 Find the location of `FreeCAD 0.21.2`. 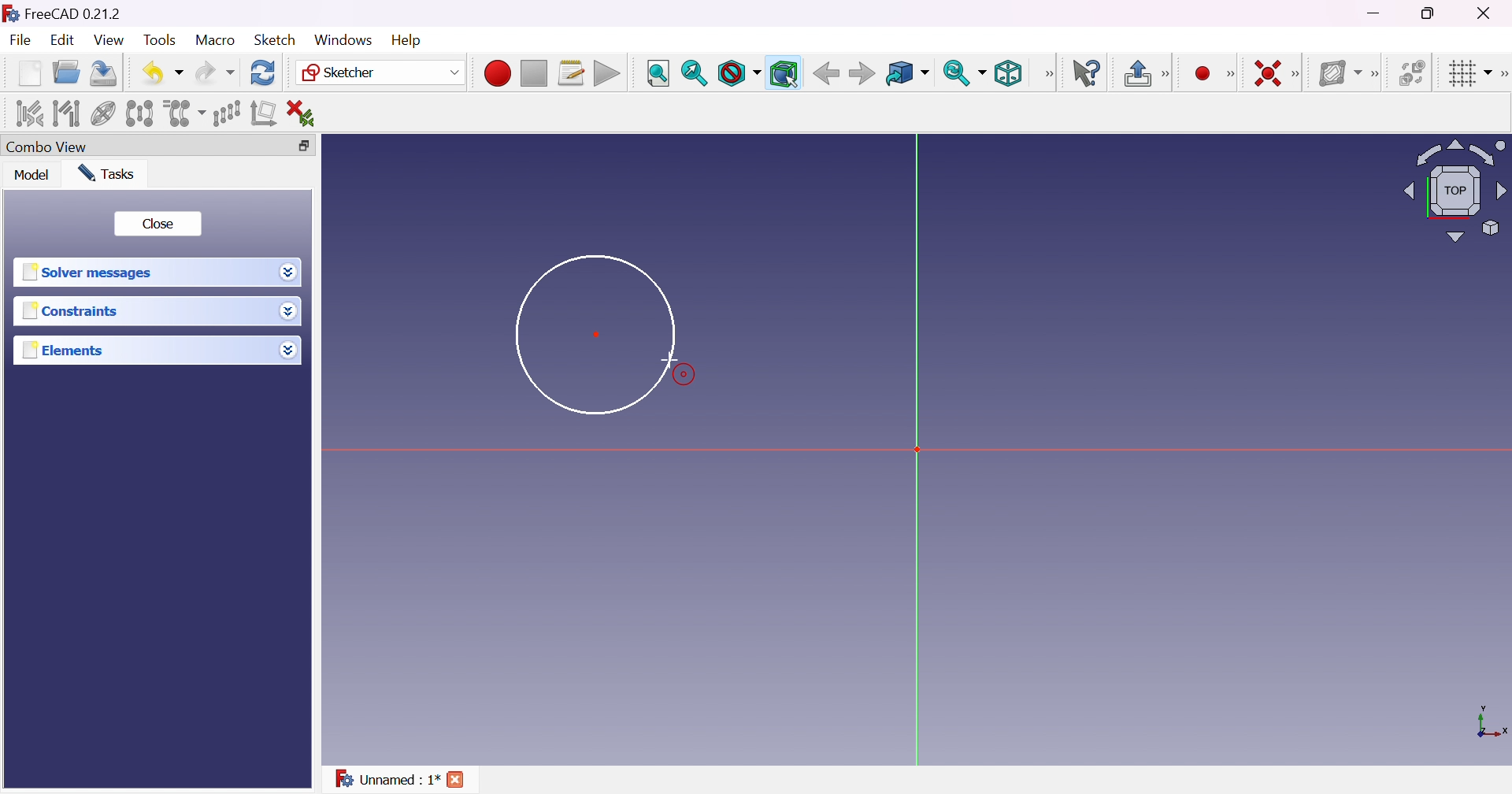

FreeCAD 0.21.2 is located at coordinates (74, 13).